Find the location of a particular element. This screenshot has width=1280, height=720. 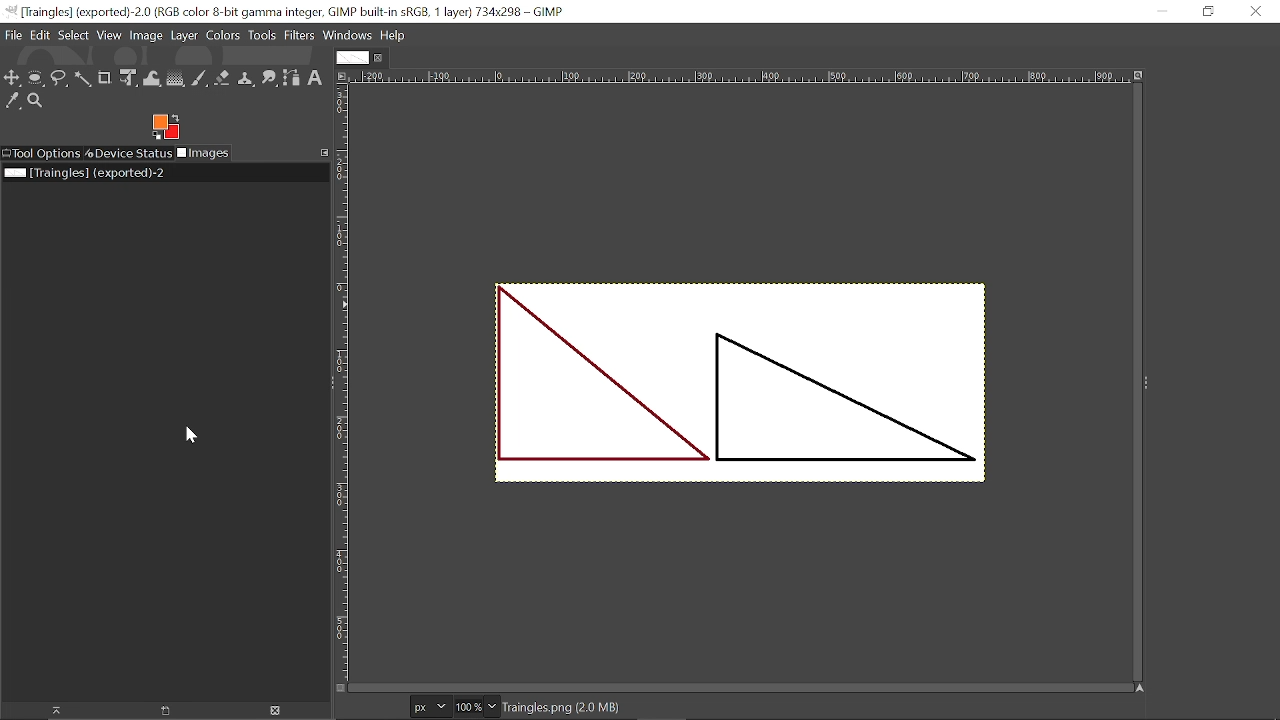

Color picker tool is located at coordinates (10, 101).